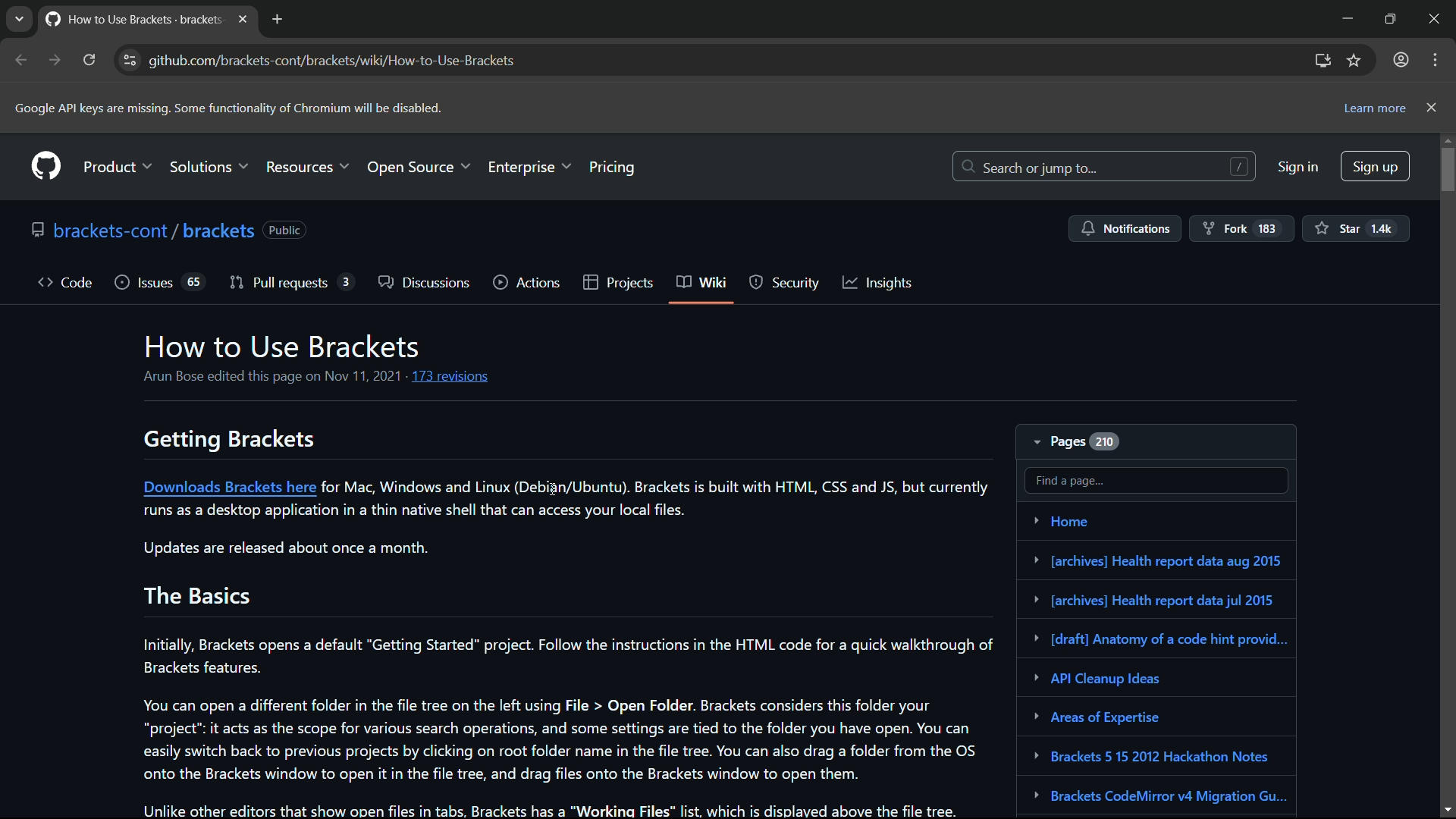  What do you see at coordinates (529, 165) in the screenshot?
I see `enterprise` at bounding box center [529, 165].